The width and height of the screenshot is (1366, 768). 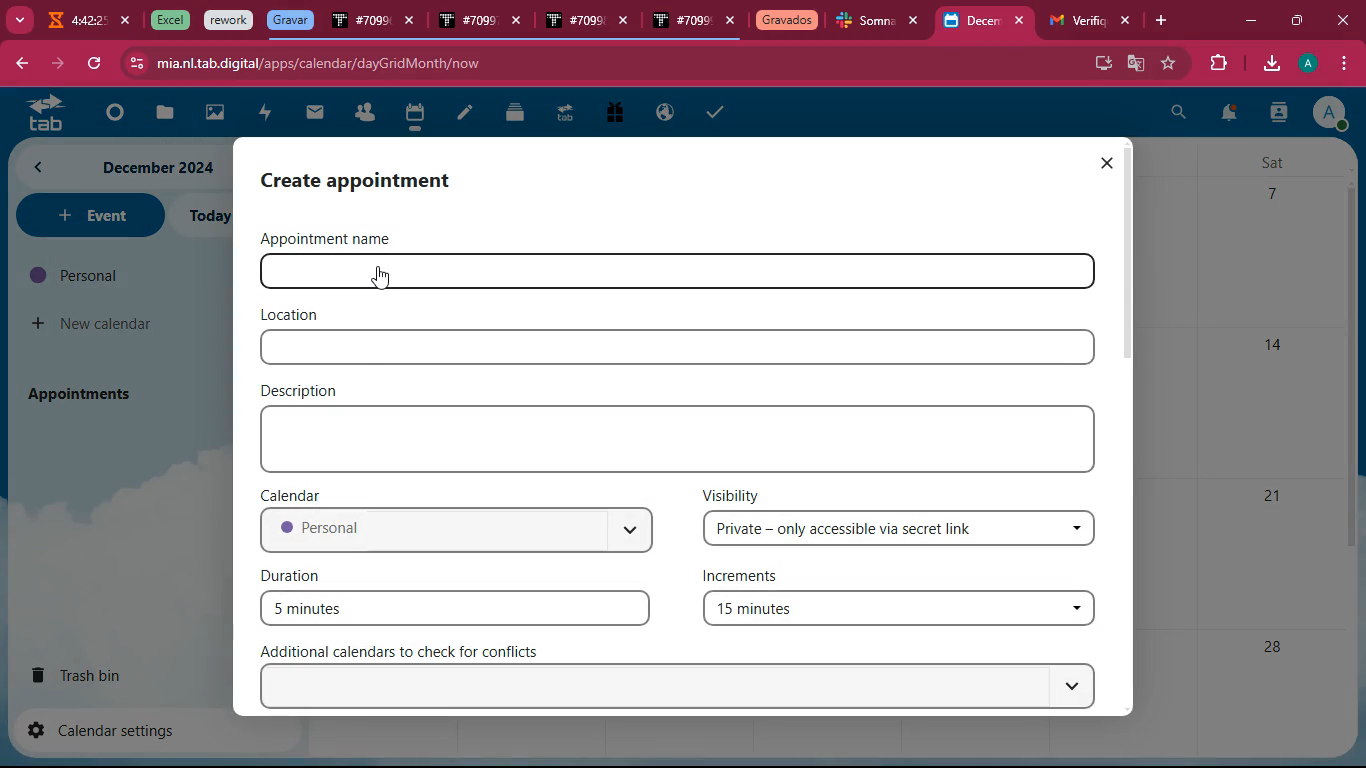 What do you see at coordinates (1170, 63) in the screenshot?
I see `favorites` at bounding box center [1170, 63].